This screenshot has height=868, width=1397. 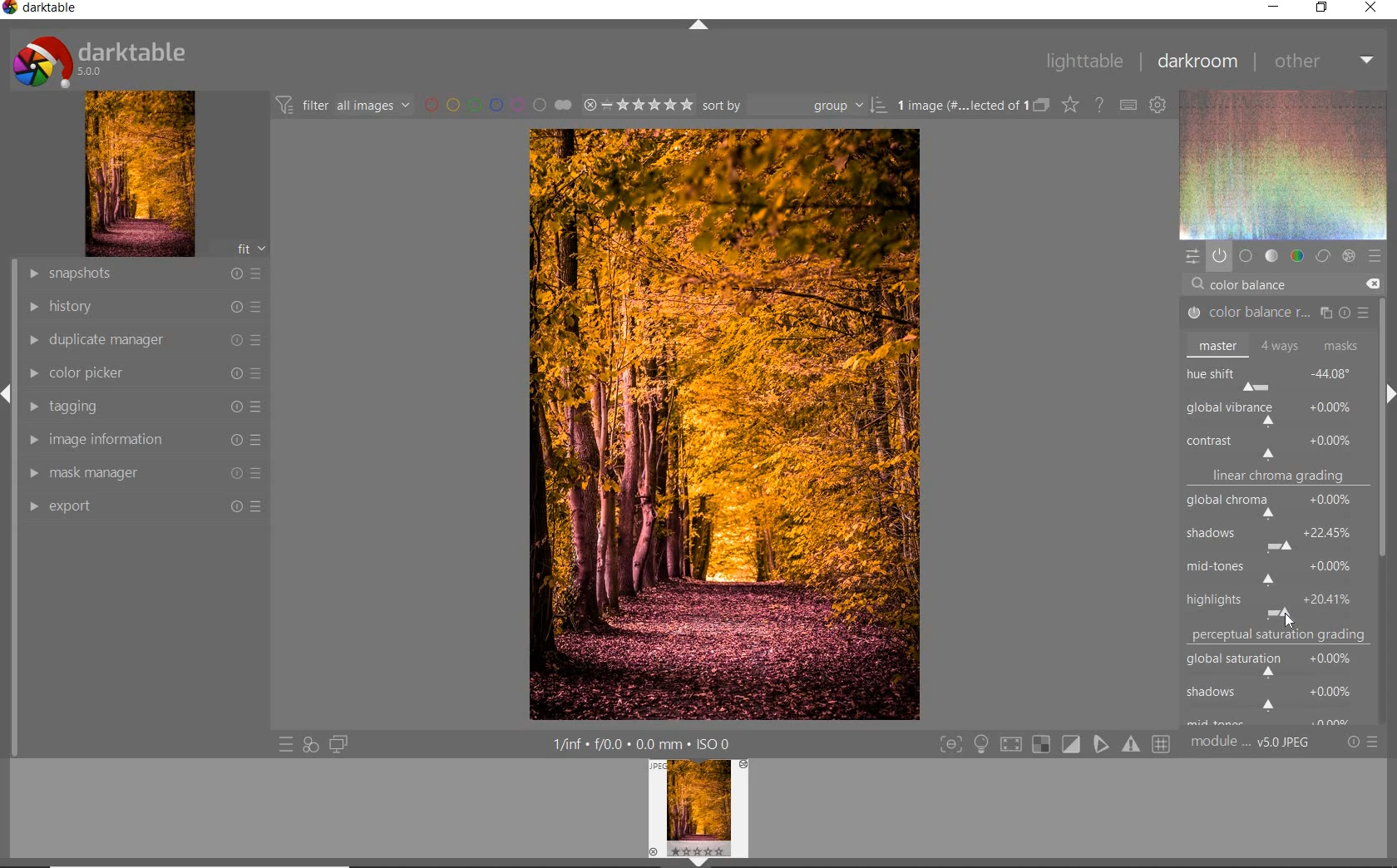 What do you see at coordinates (1349, 254) in the screenshot?
I see `effect` at bounding box center [1349, 254].